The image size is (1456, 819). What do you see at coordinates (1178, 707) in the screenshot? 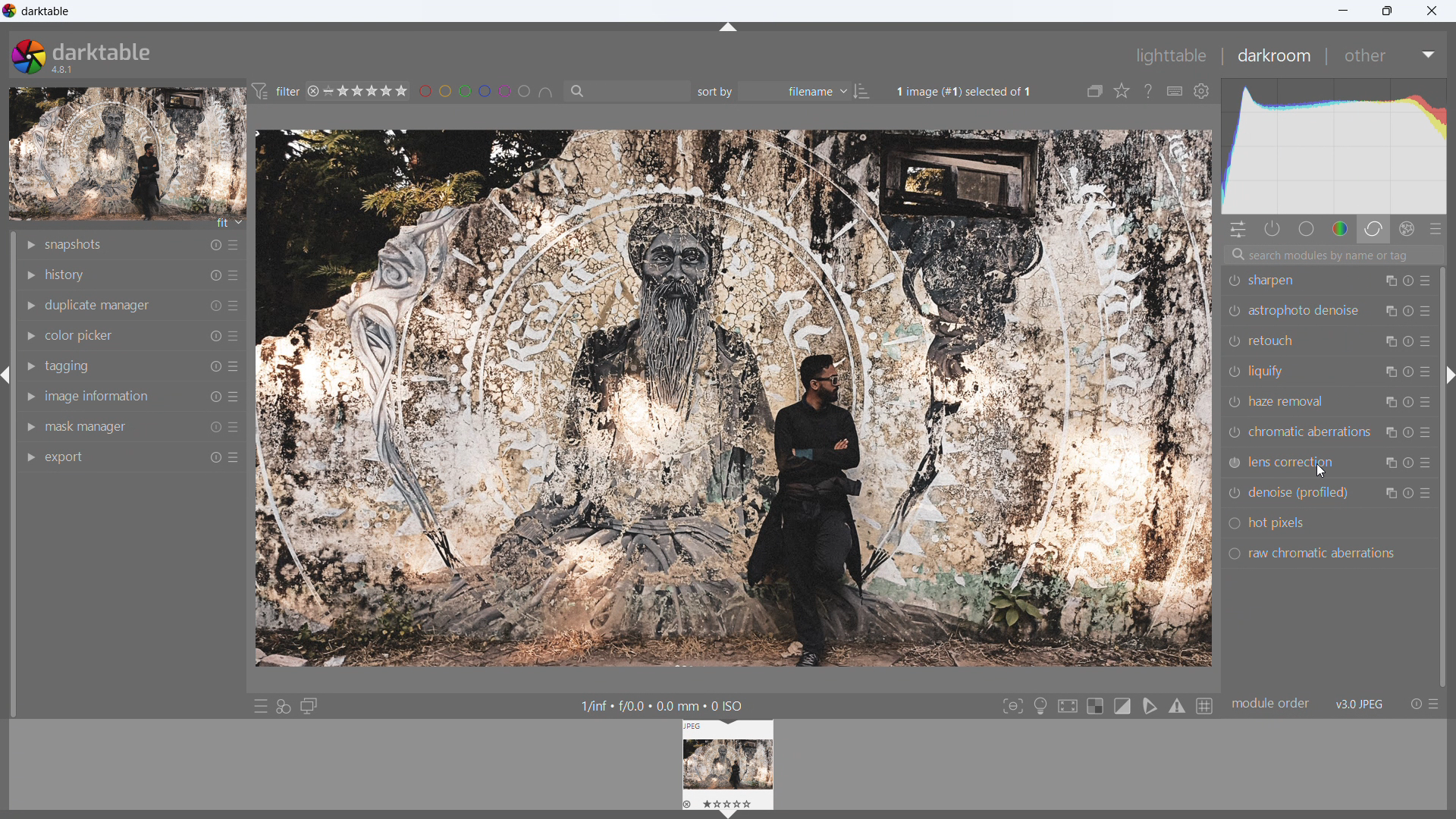
I see `toggle gamut checking` at bounding box center [1178, 707].